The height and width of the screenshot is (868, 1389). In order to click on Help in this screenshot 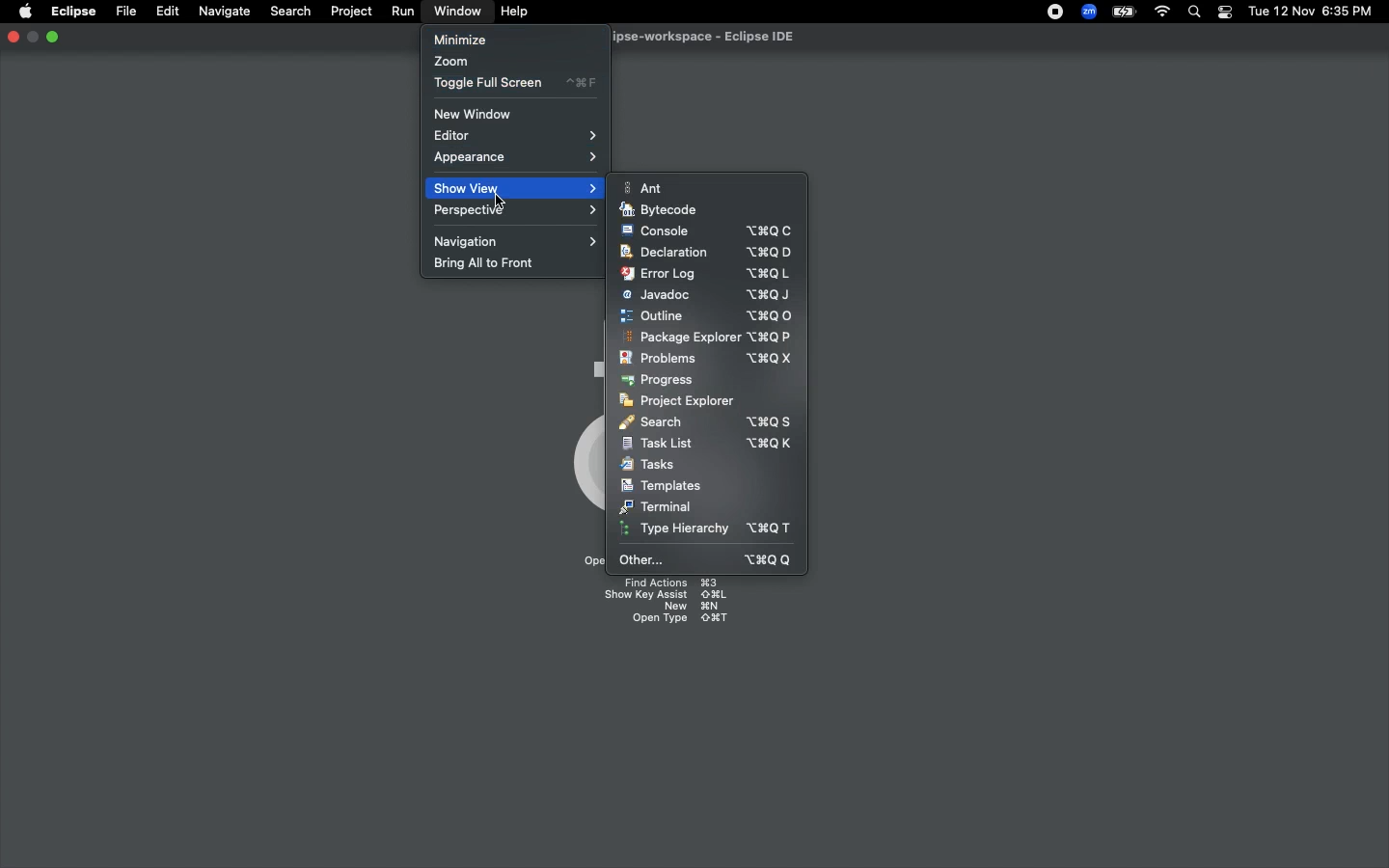, I will do `click(516, 12)`.